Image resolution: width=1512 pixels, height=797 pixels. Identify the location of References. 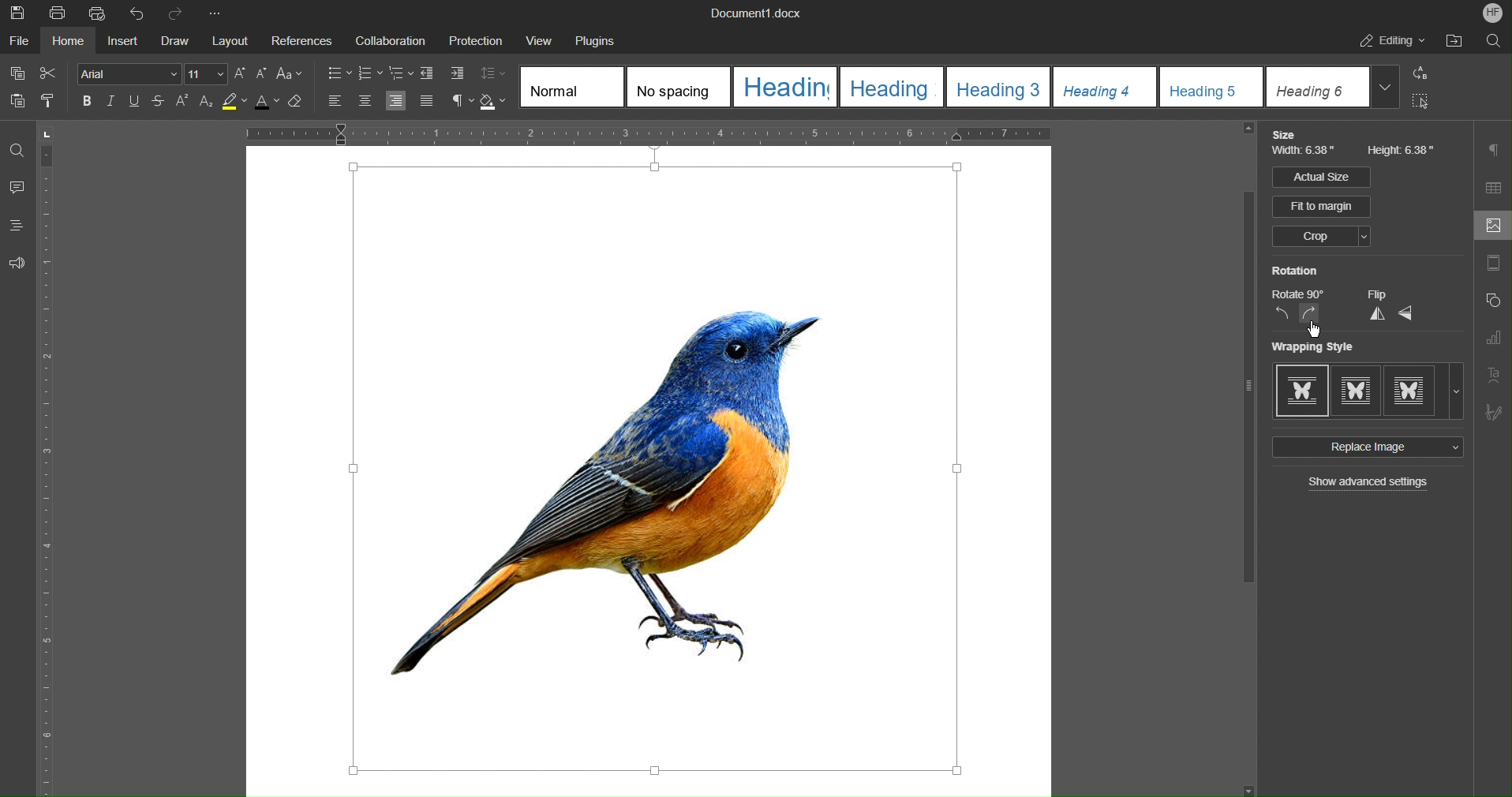
(300, 38).